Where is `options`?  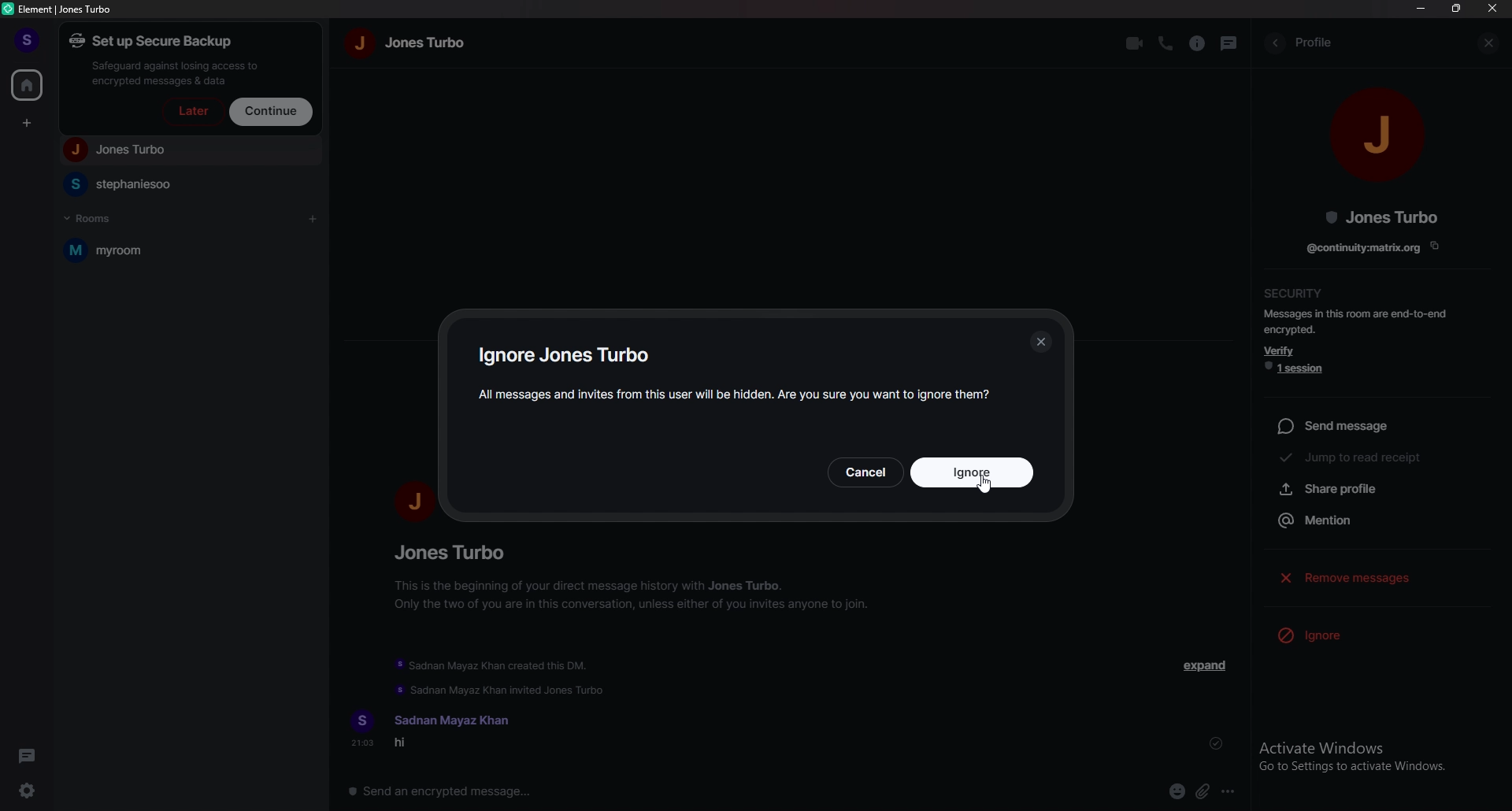
options is located at coordinates (1229, 792).